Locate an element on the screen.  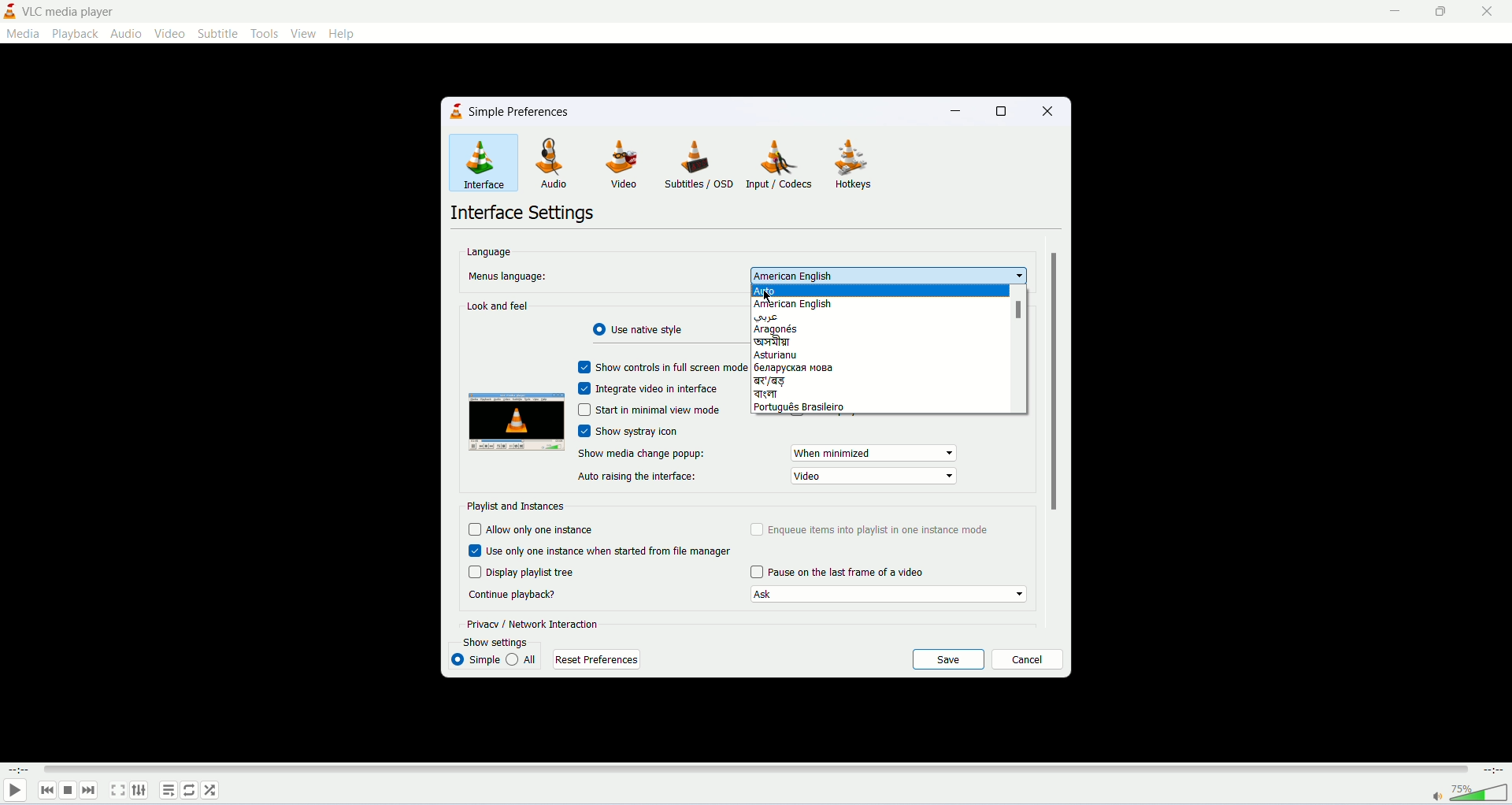
interface settings is located at coordinates (521, 214).